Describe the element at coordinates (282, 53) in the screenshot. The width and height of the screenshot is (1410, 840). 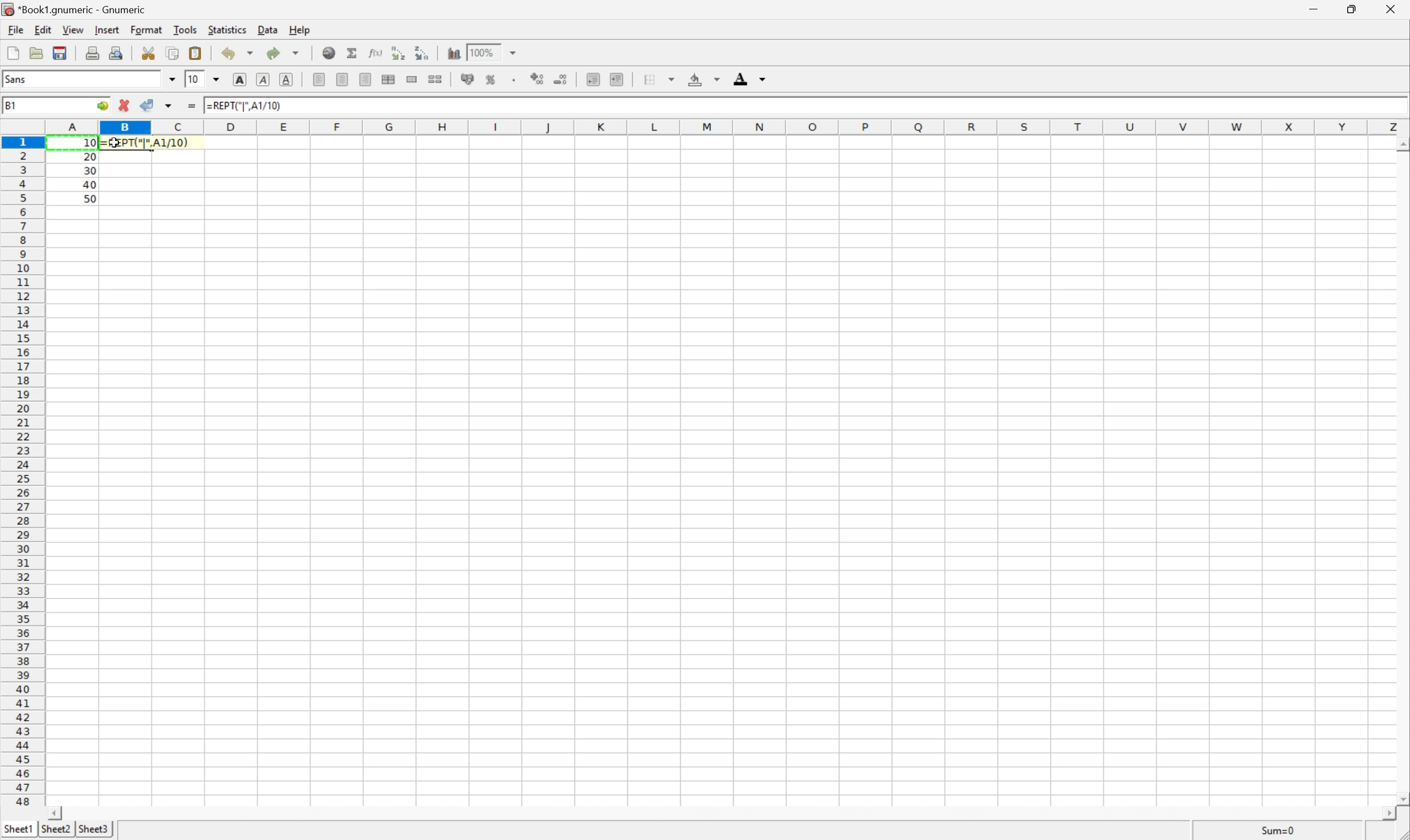
I see `Redo` at that location.